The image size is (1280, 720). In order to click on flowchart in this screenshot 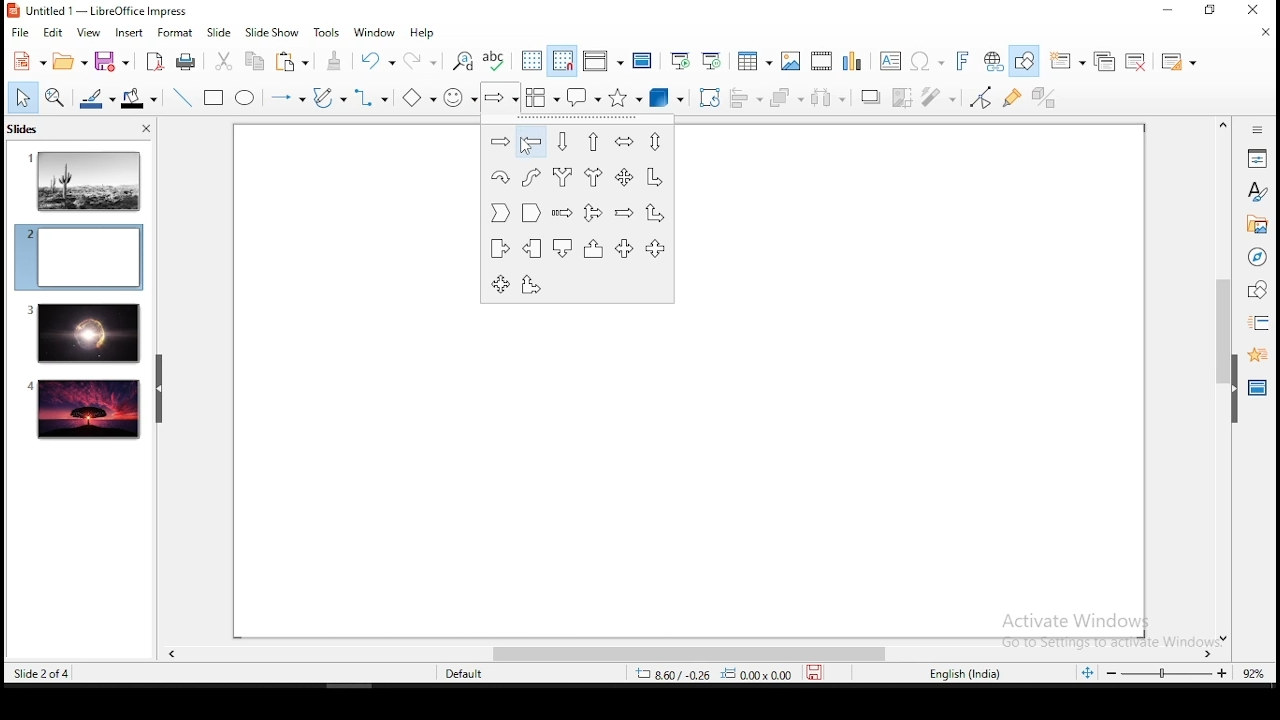, I will do `click(542, 98)`.